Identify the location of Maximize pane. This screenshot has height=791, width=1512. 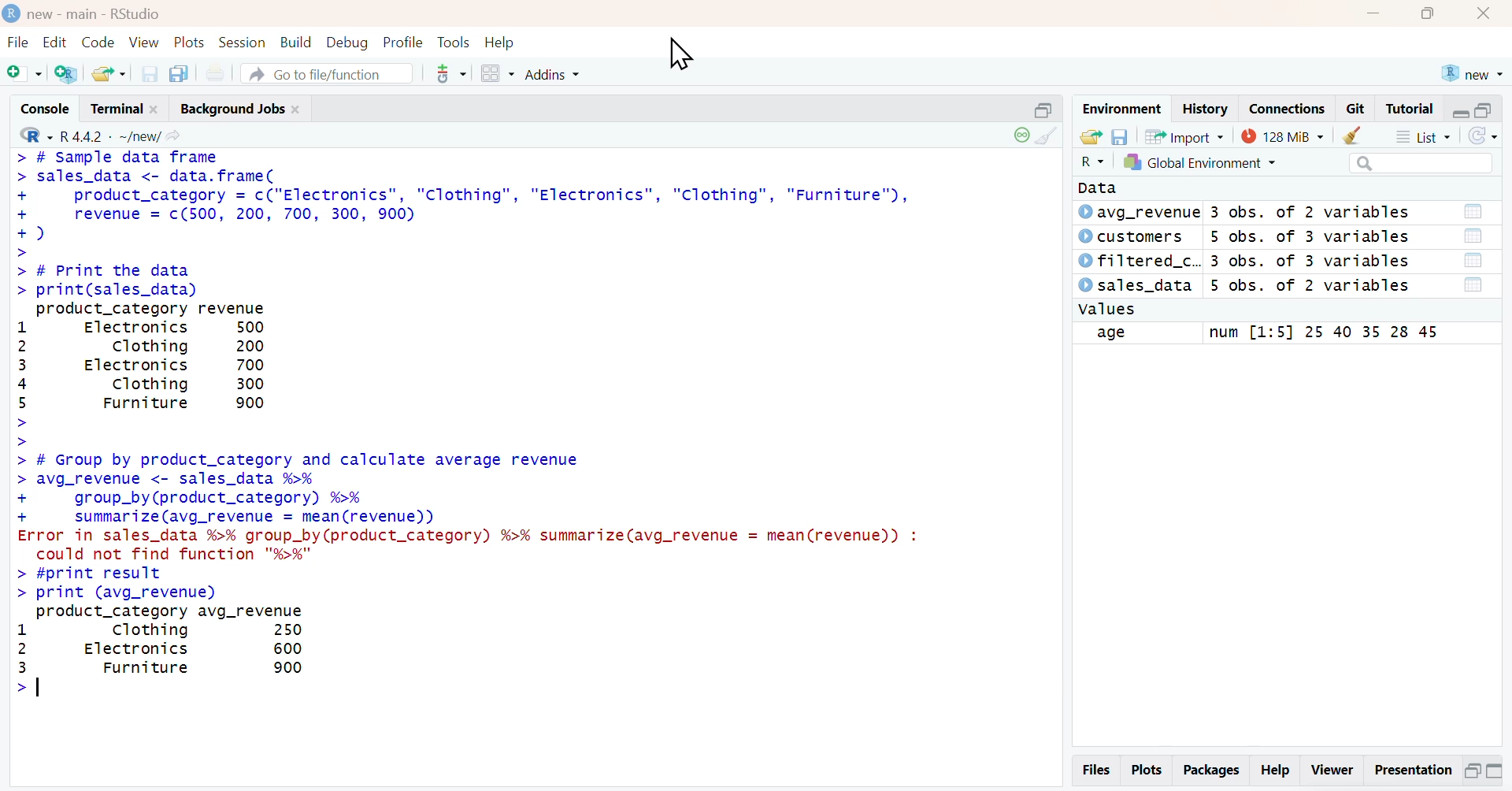
(1495, 773).